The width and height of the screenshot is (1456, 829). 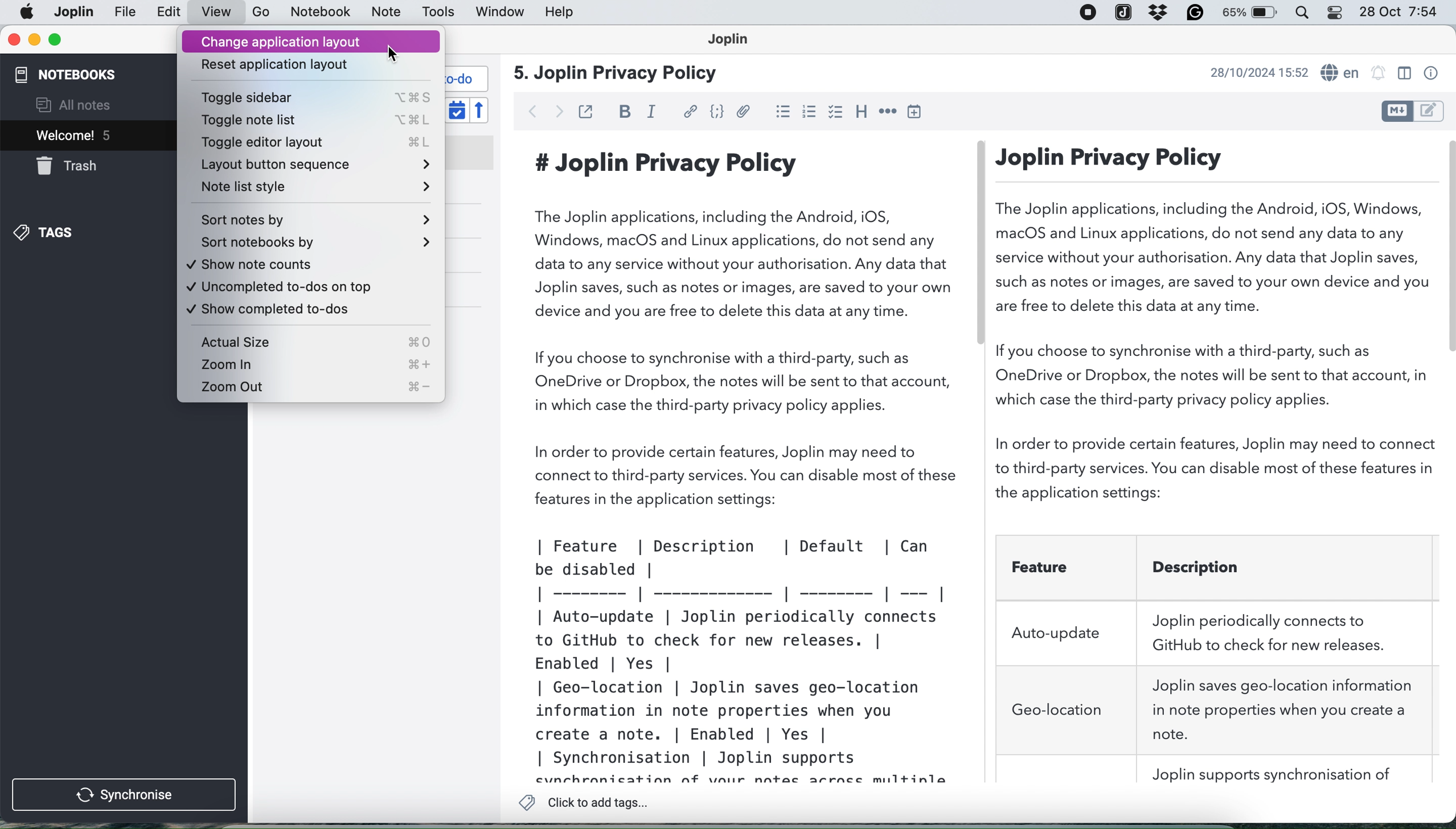 What do you see at coordinates (323, 13) in the screenshot?
I see `notebook` at bounding box center [323, 13].